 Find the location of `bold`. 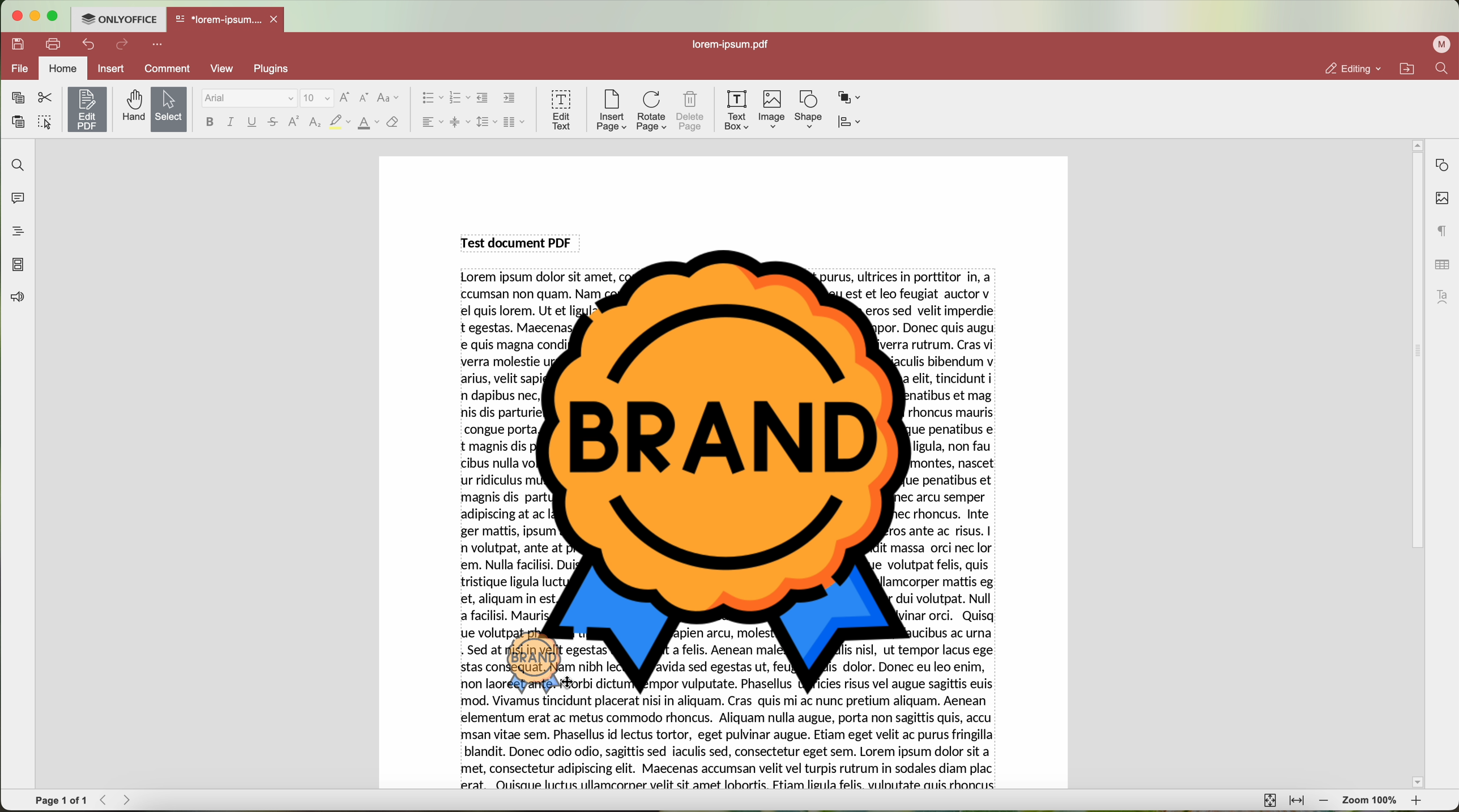

bold is located at coordinates (210, 122).